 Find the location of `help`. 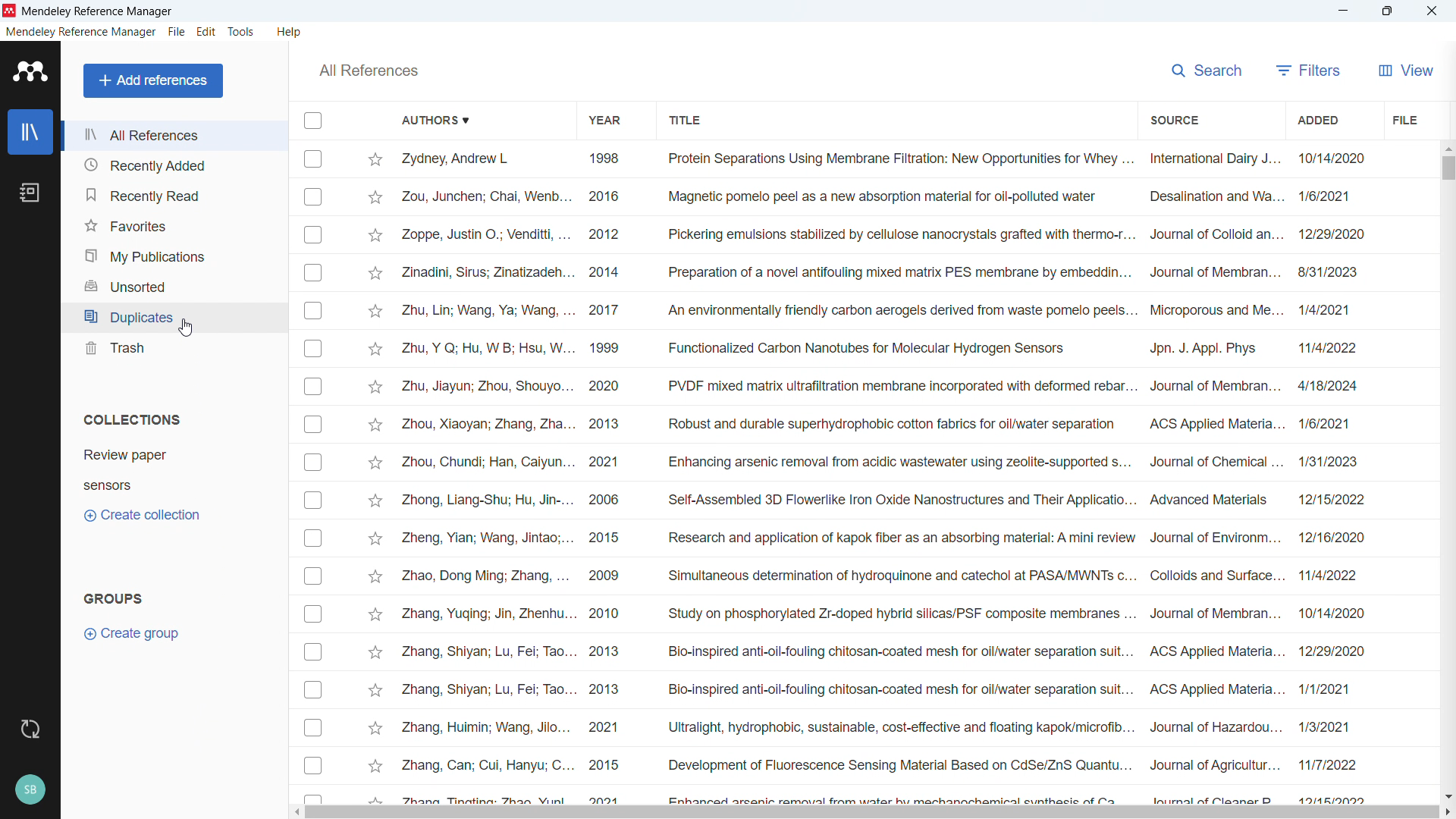

help is located at coordinates (290, 32).